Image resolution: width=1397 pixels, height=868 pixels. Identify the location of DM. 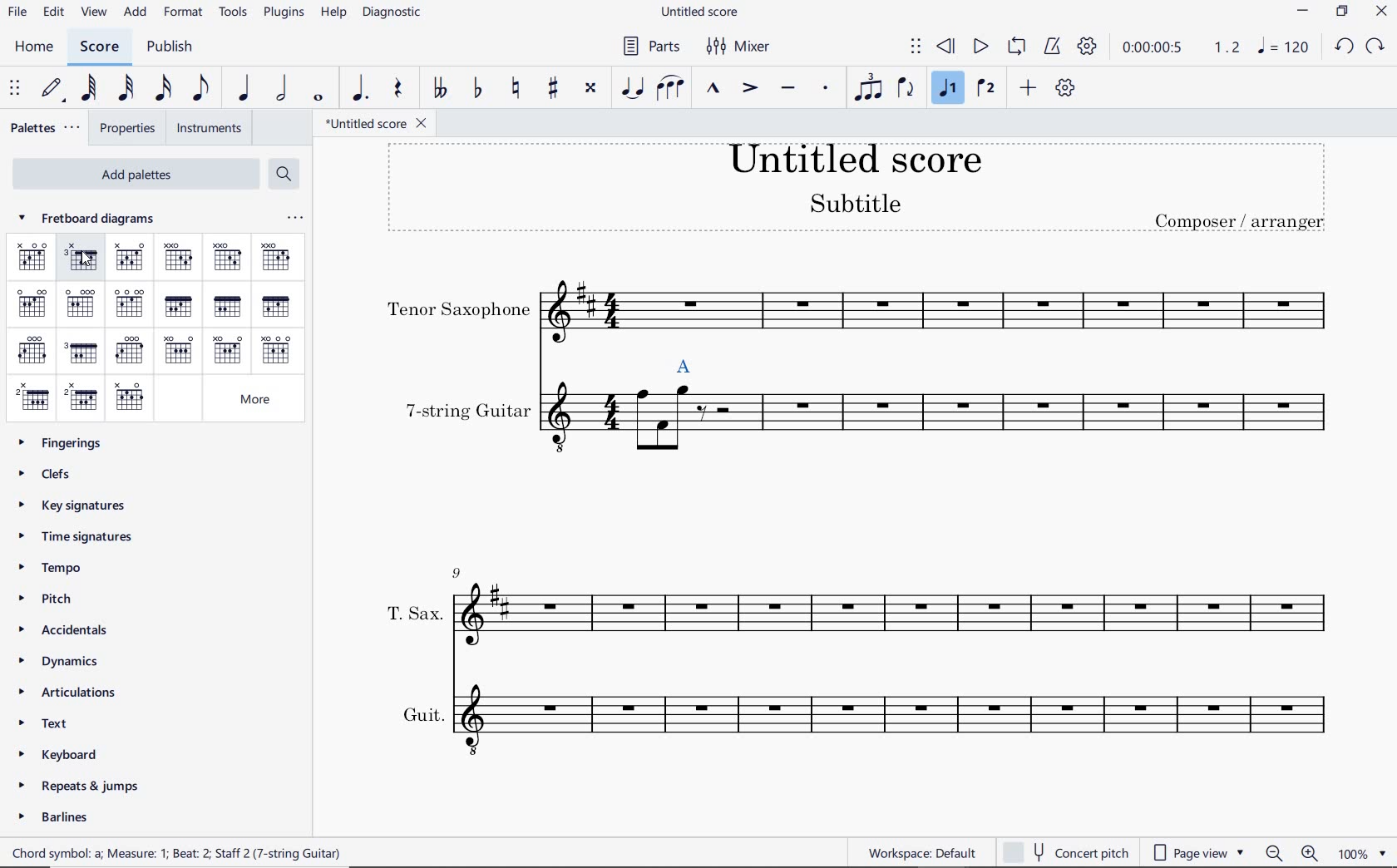
(227, 258).